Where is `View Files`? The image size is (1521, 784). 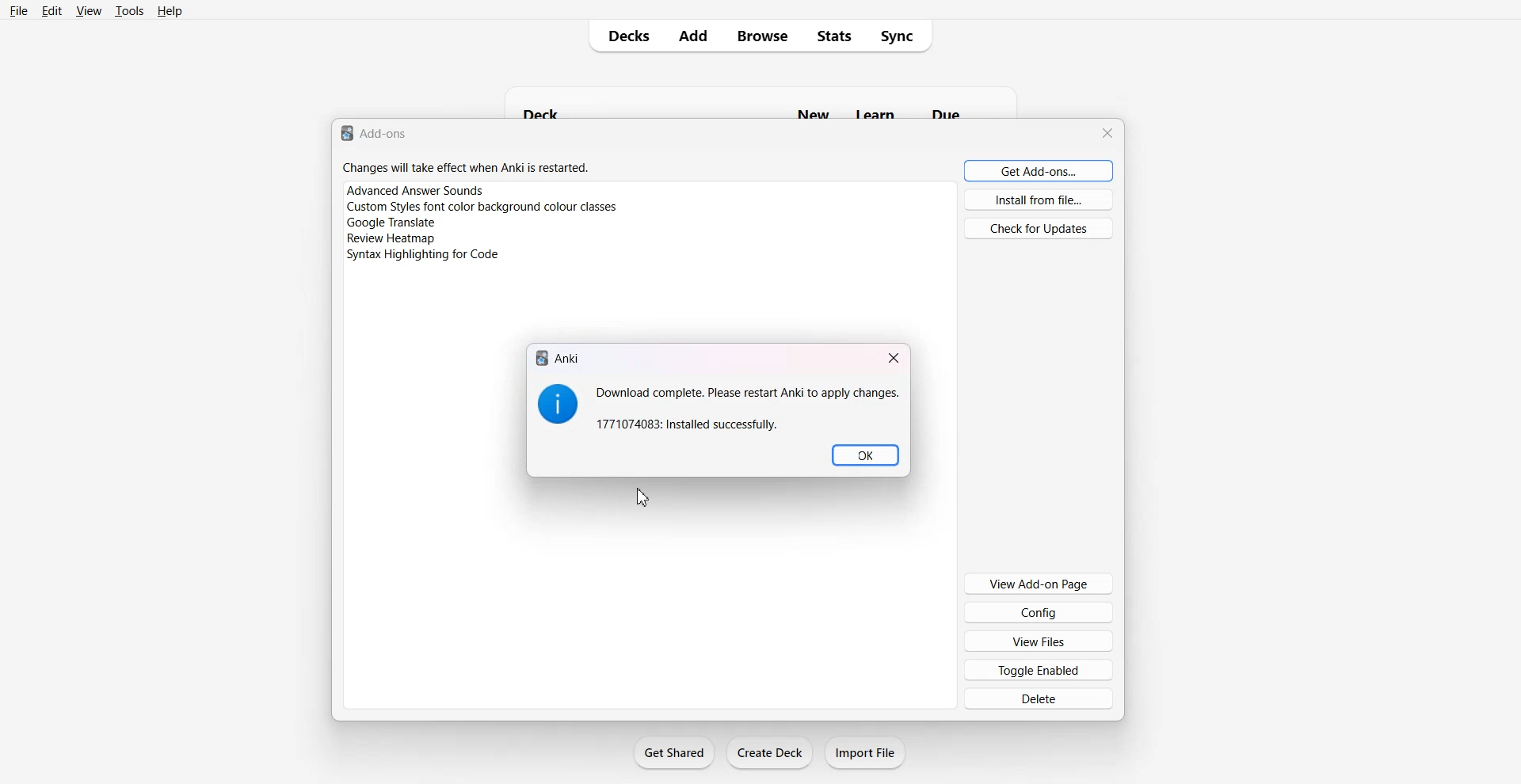 View Files is located at coordinates (1039, 640).